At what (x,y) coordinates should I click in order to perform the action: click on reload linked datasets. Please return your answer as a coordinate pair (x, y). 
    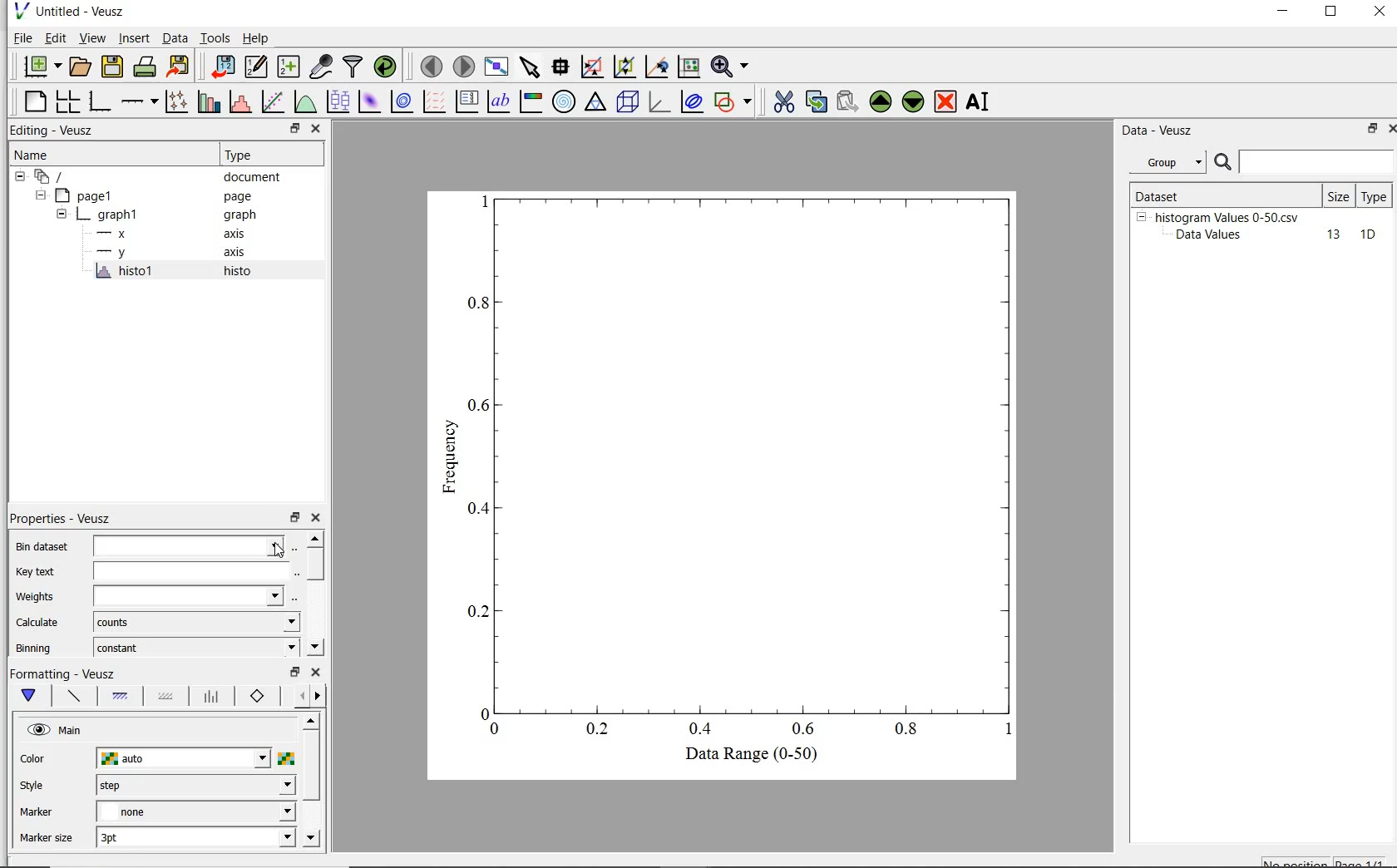
    Looking at the image, I should click on (388, 67).